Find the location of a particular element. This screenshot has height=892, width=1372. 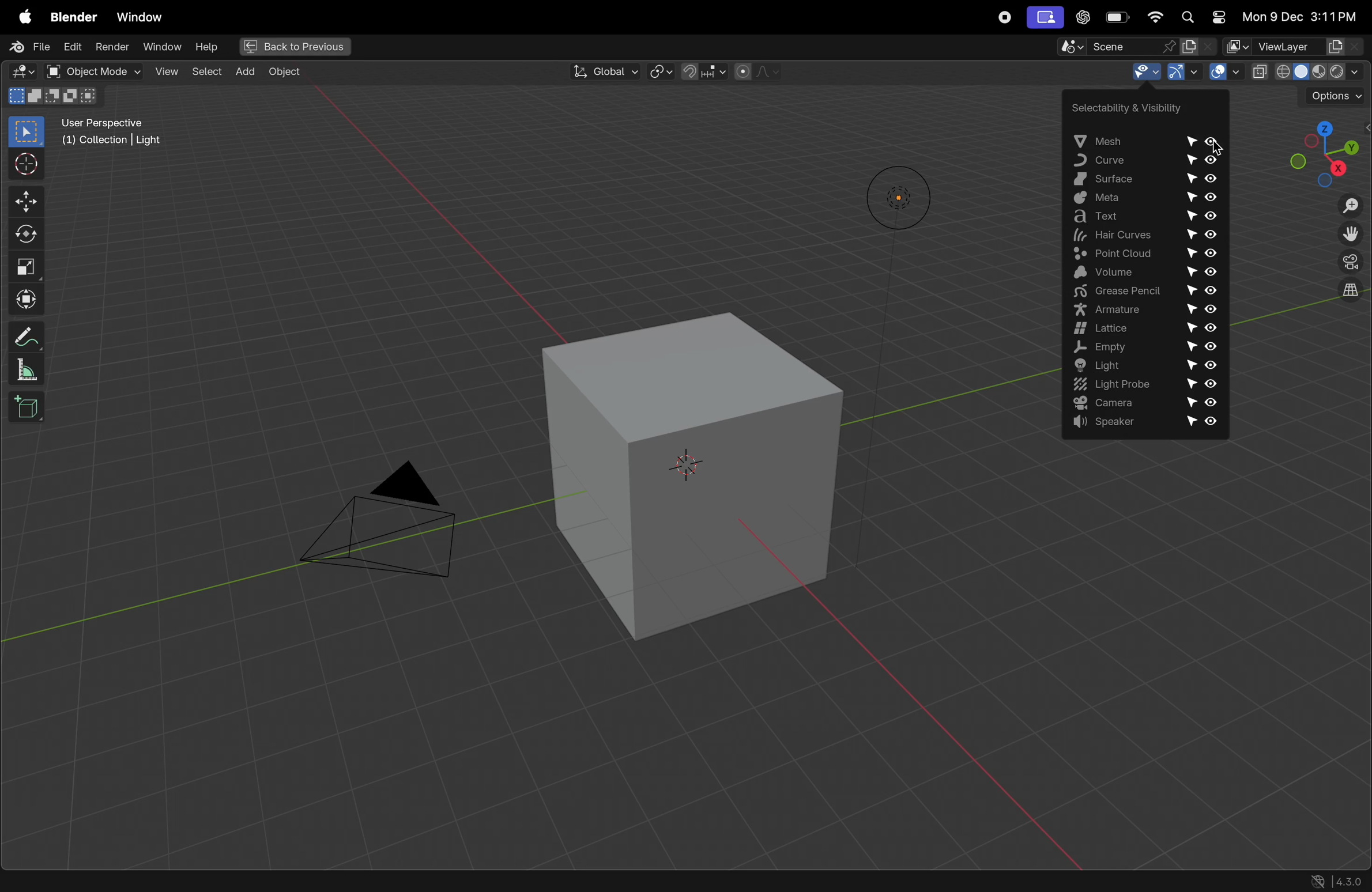

scalibility is located at coordinates (1120, 107).